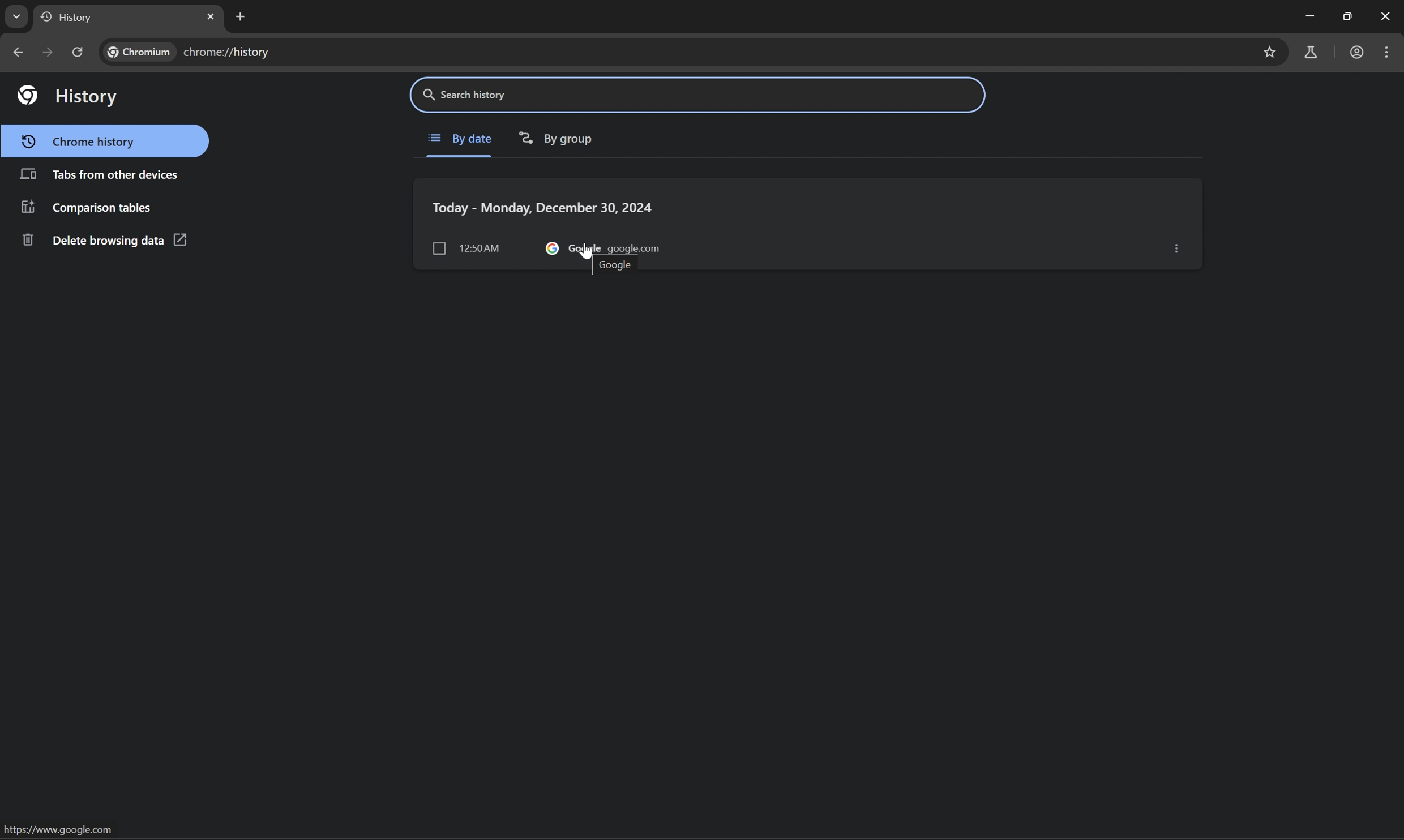 Image resolution: width=1404 pixels, height=840 pixels. What do you see at coordinates (148, 52) in the screenshot?
I see `chromium` at bounding box center [148, 52].